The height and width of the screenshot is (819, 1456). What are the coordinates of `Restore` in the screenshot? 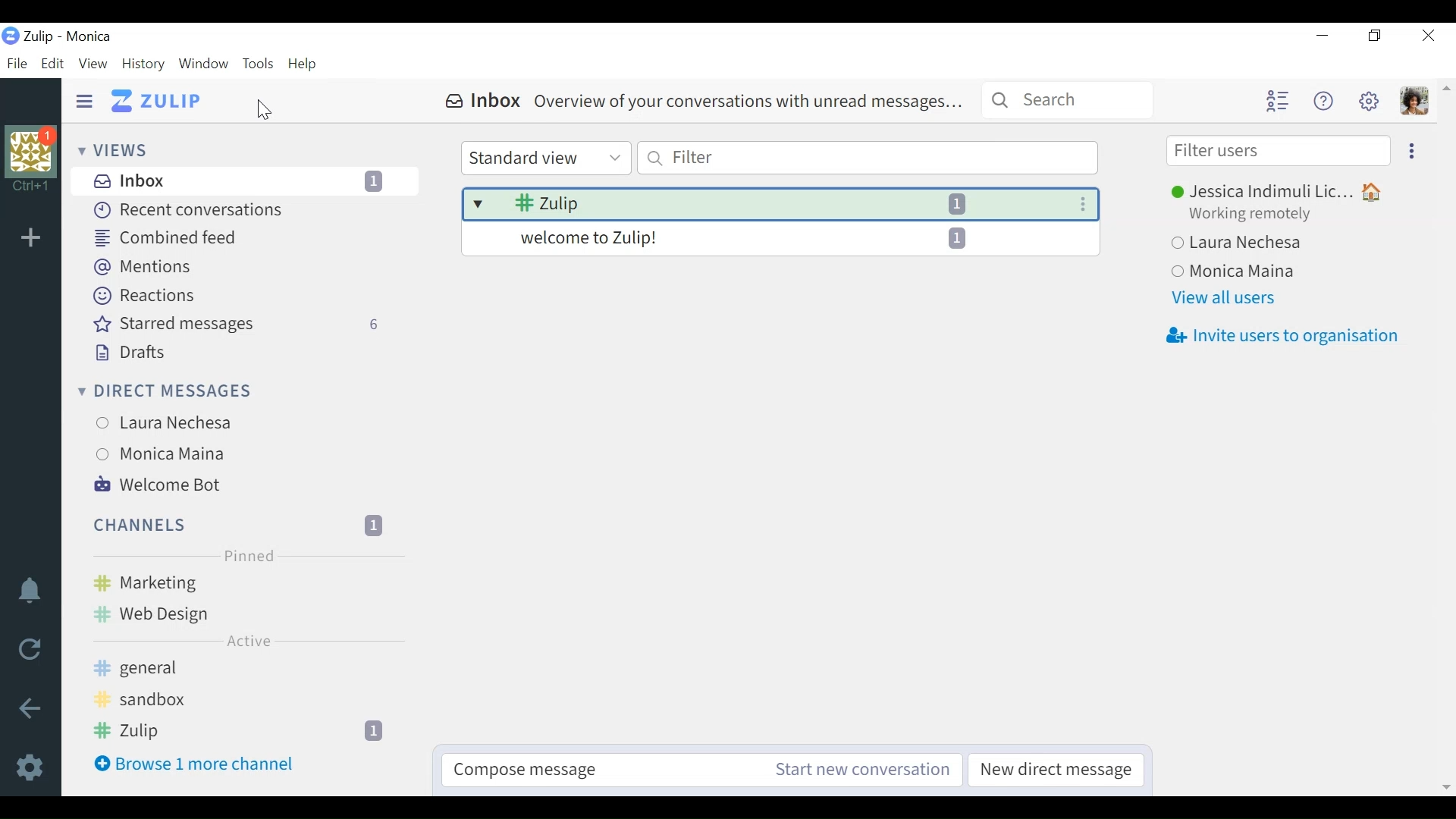 It's located at (1375, 36).